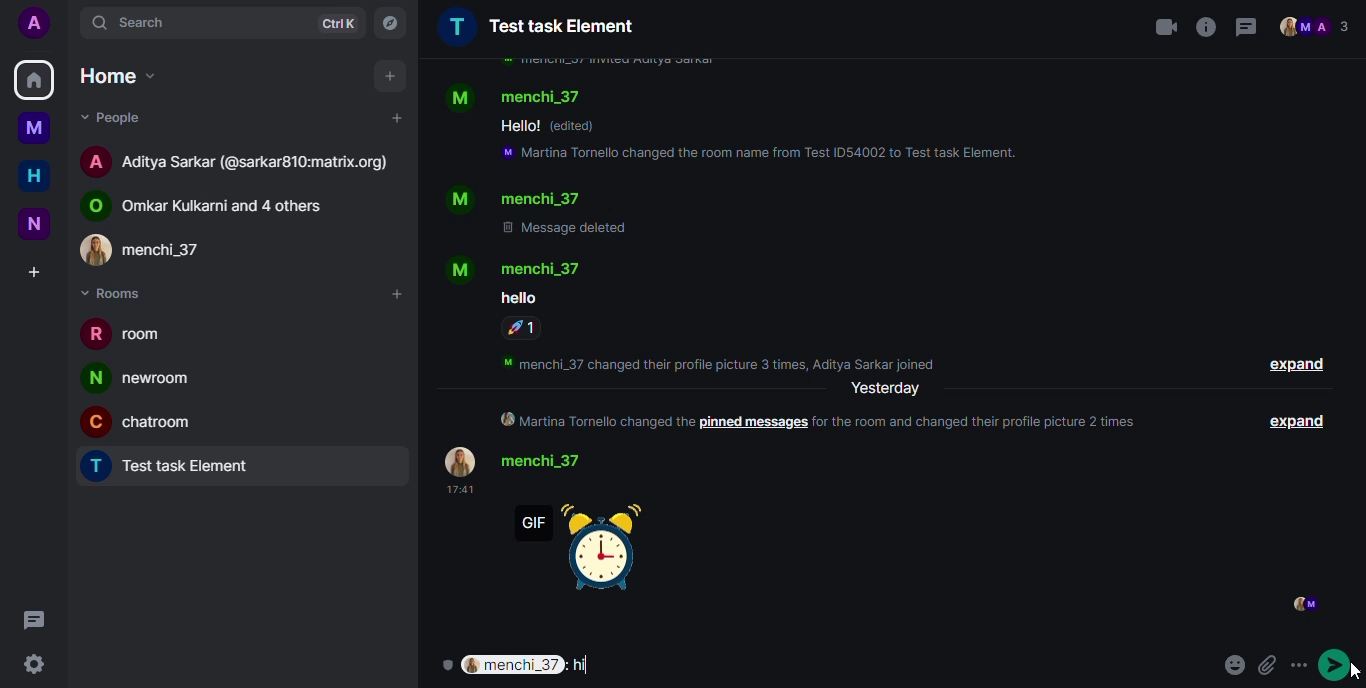 Image resolution: width=1366 pixels, height=688 pixels. I want to click on people, so click(1317, 27).